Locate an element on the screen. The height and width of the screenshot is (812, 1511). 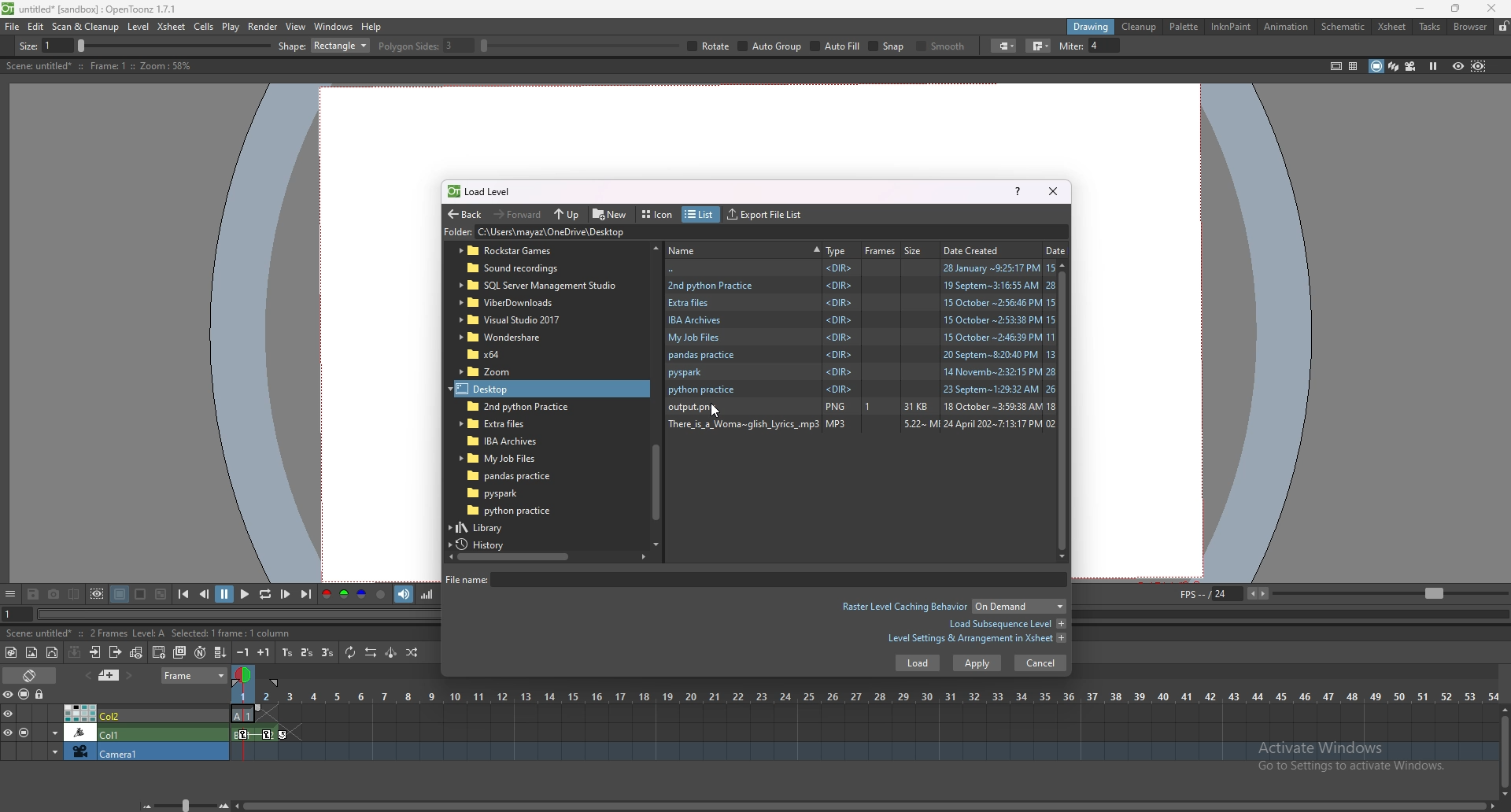
join is located at coordinates (1315, 46).